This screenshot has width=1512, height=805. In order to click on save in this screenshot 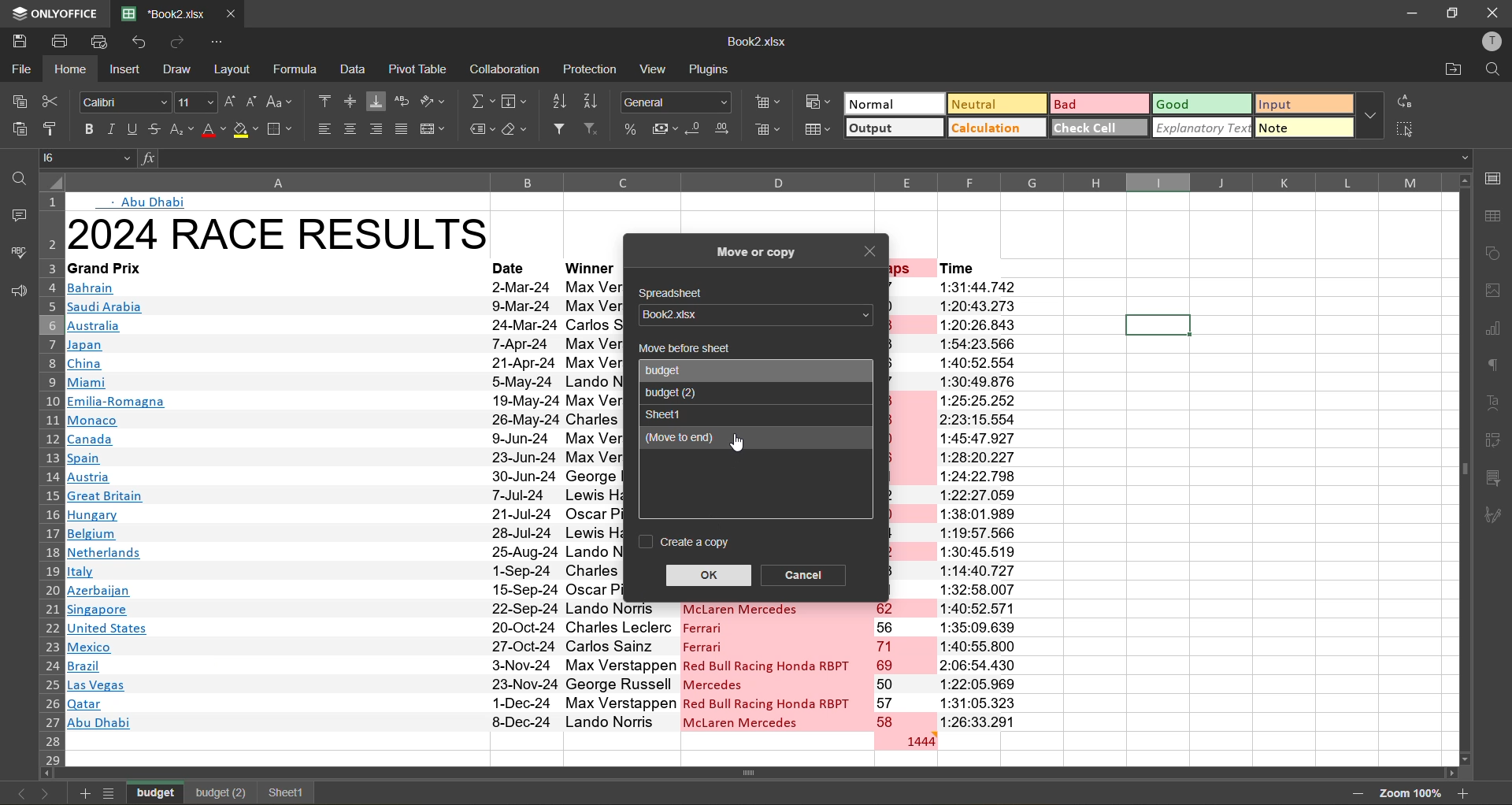, I will do `click(18, 39)`.